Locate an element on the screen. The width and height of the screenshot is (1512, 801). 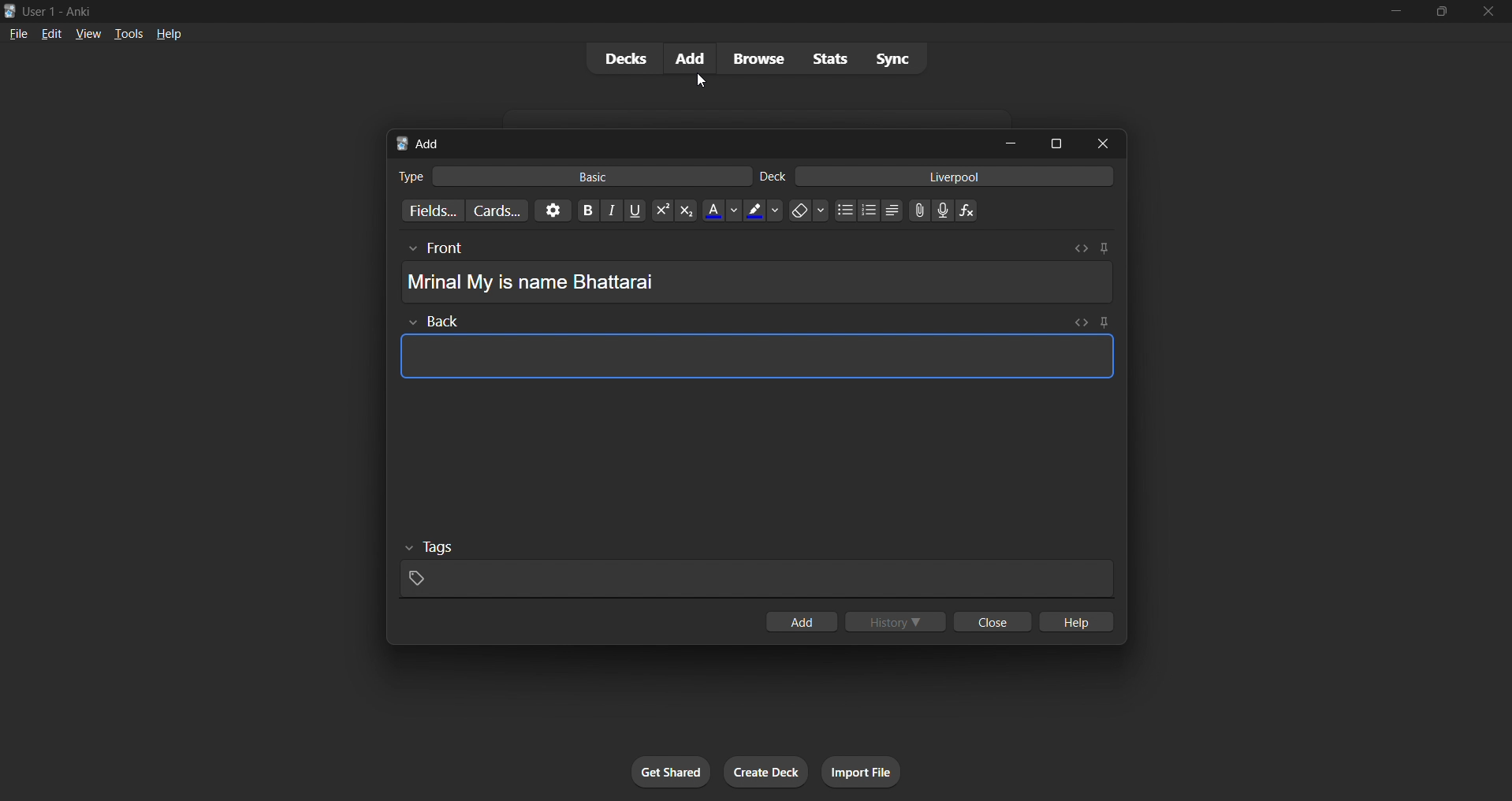
options is located at coordinates (551, 210).